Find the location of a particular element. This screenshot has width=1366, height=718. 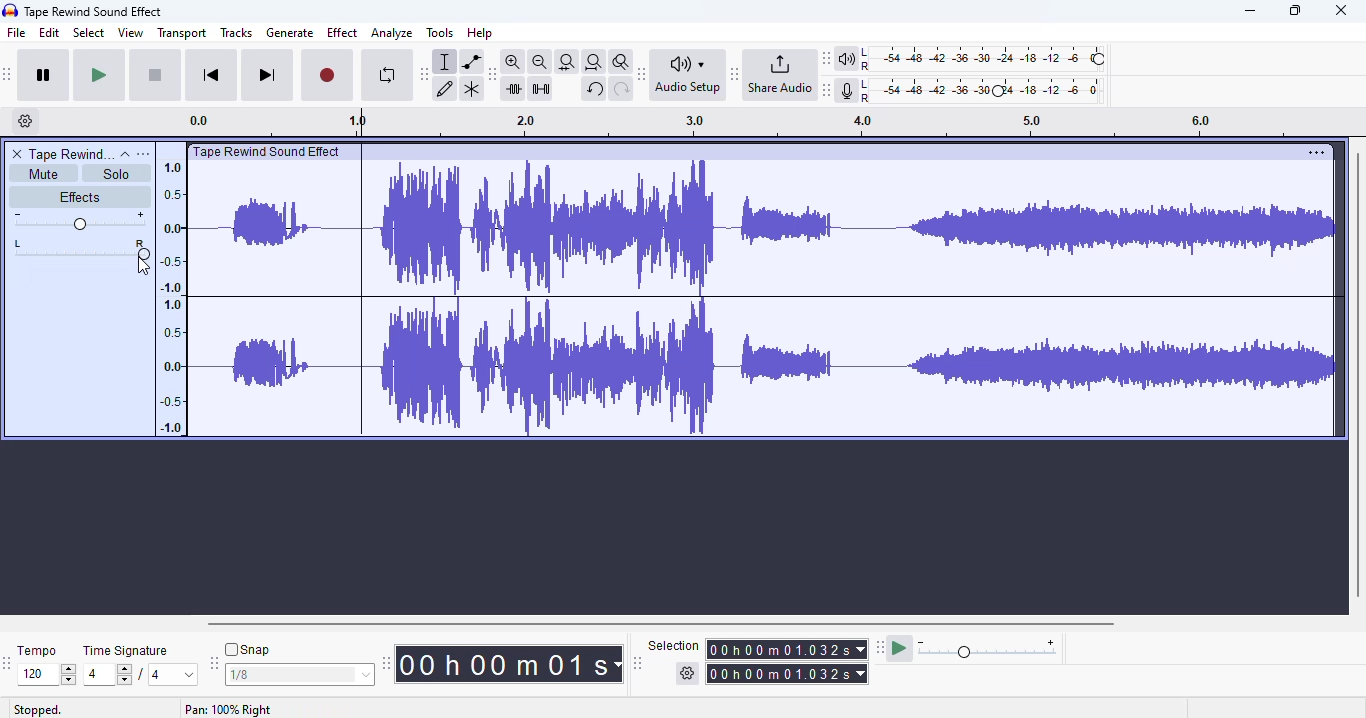

zoom toggle shift is located at coordinates (622, 62).